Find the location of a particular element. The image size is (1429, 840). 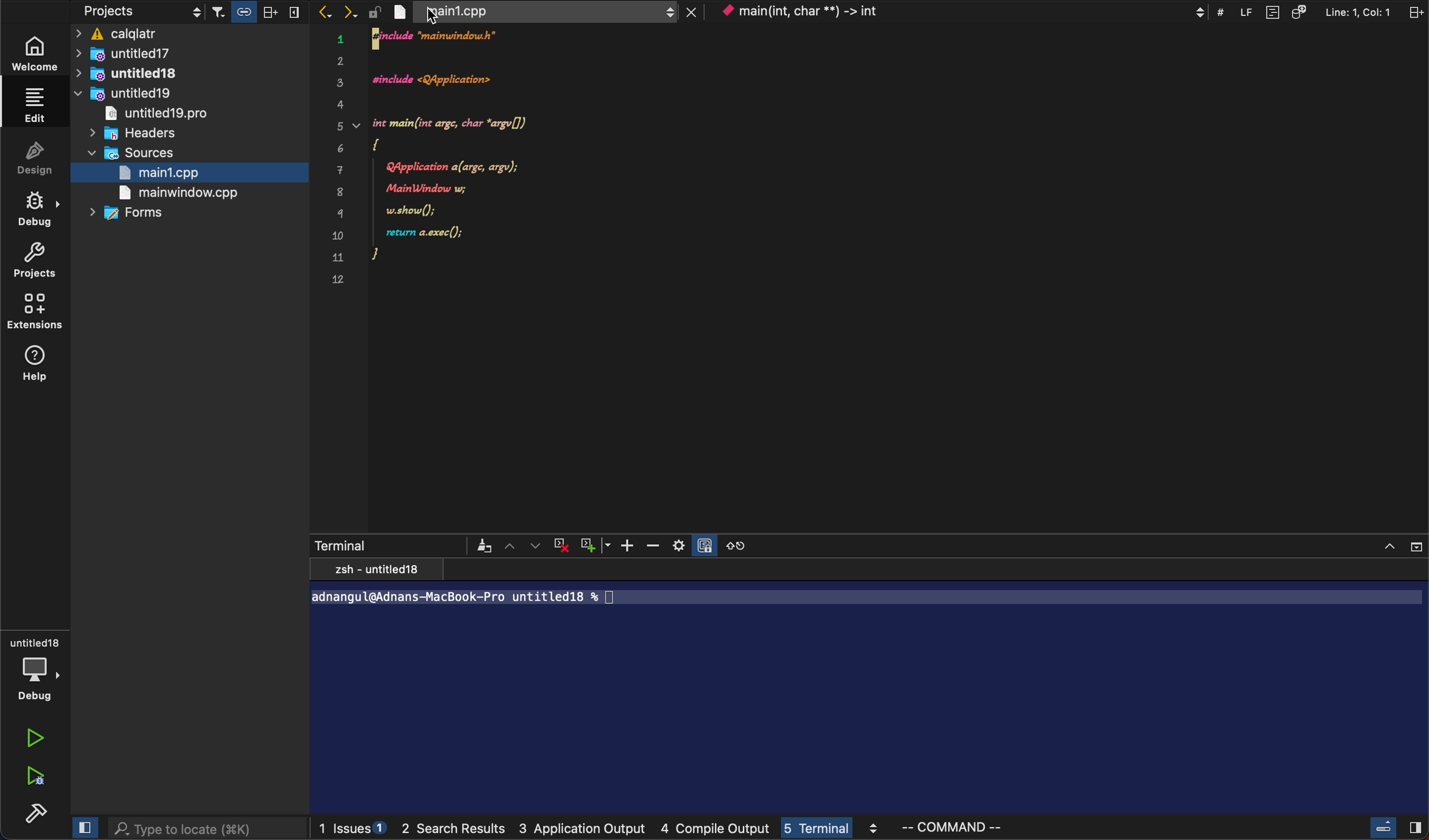

untitled17 is located at coordinates (151, 54).